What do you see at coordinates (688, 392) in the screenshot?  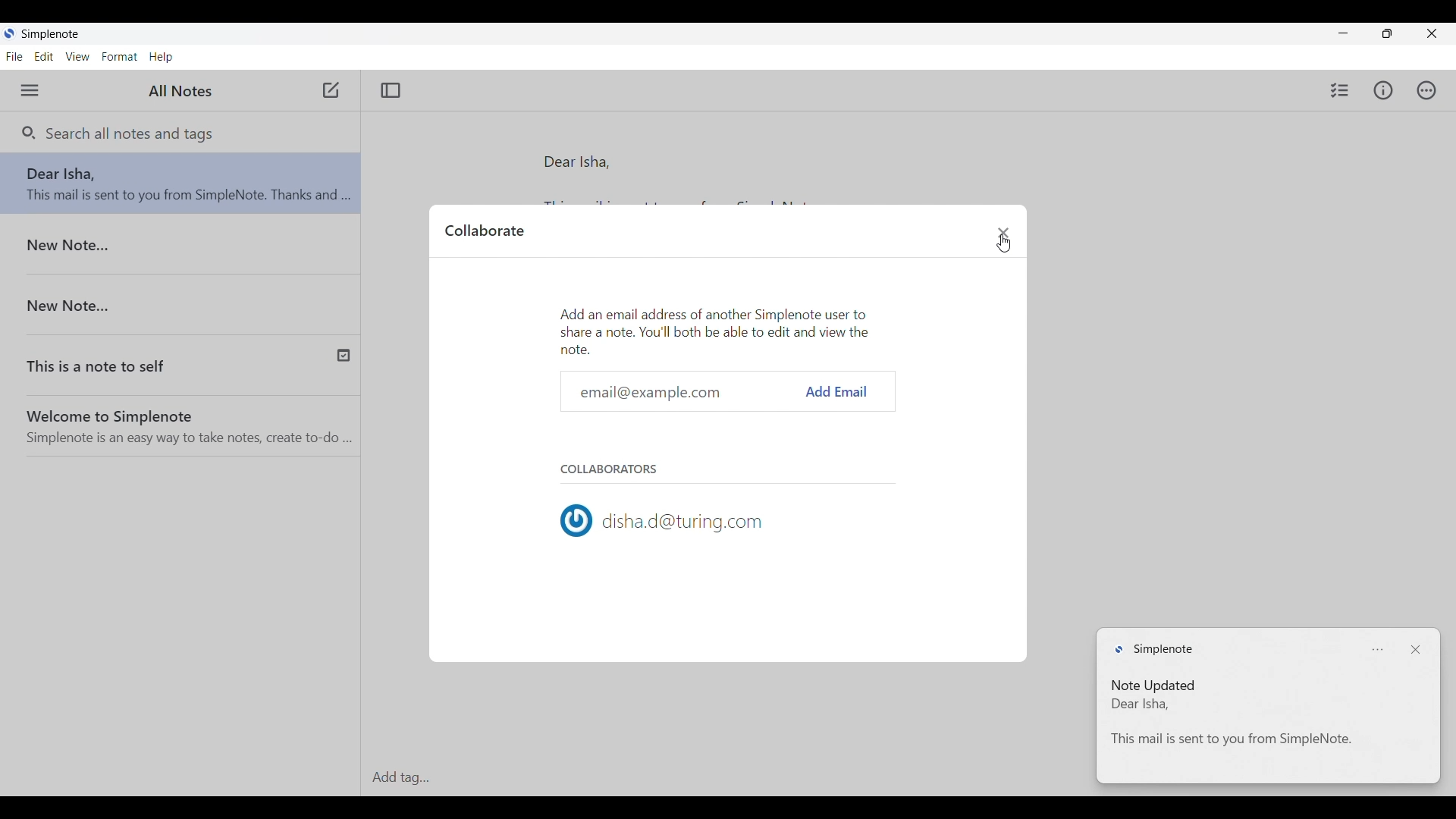 I see `email@example.com` at bounding box center [688, 392].